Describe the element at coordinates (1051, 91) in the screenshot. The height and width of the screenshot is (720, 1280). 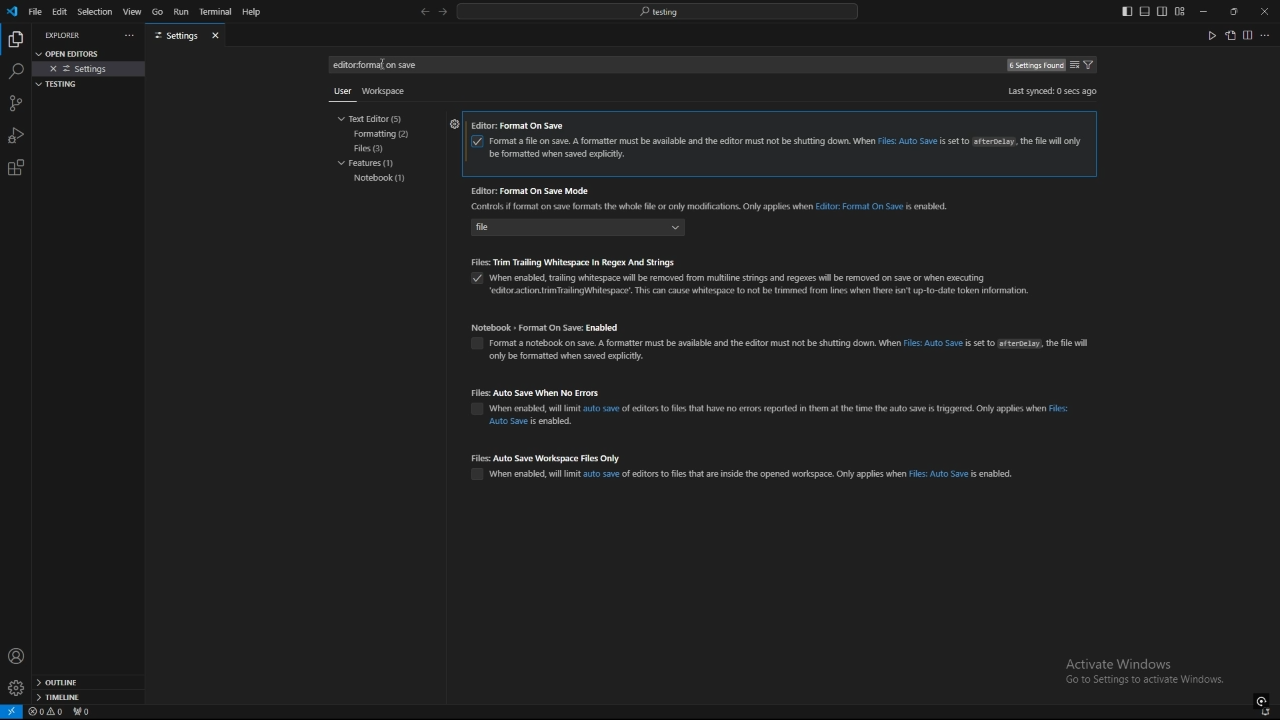
I see `Last synced: 0 secs ago` at that location.